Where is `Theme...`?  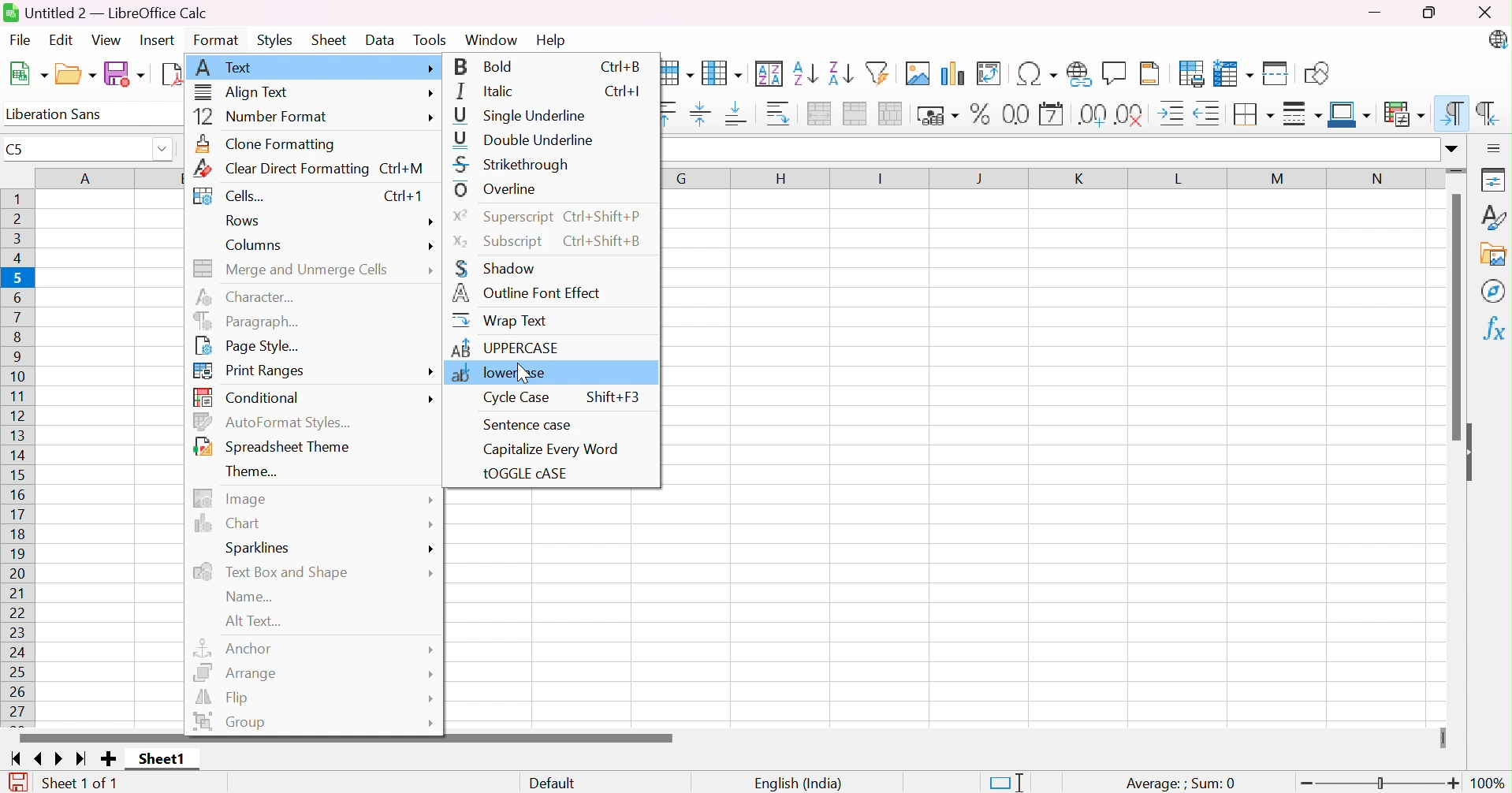 Theme... is located at coordinates (250, 471).